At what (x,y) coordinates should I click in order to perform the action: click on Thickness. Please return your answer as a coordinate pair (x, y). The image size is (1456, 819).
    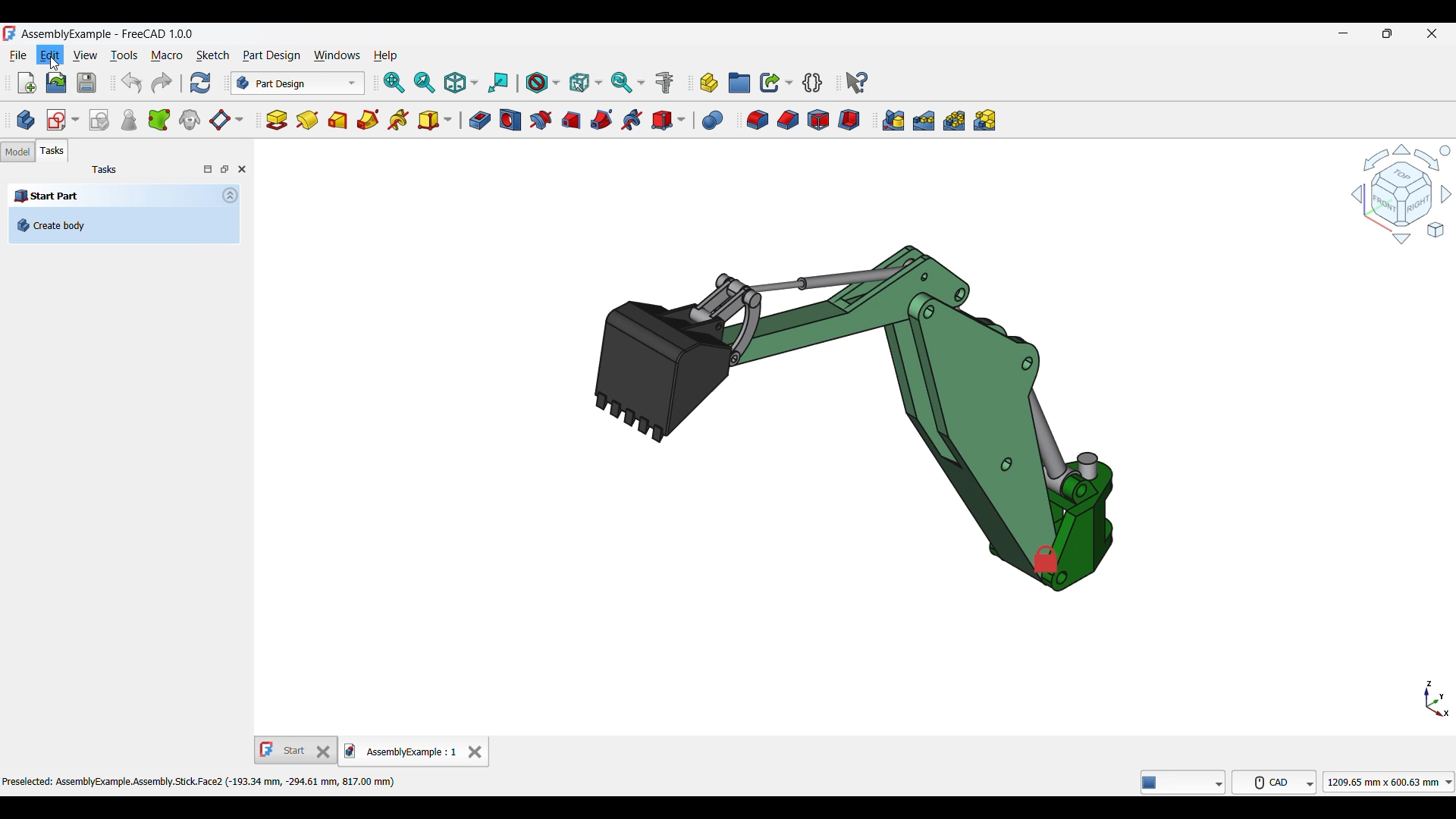
    Looking at the image, I should click on (849, 120).